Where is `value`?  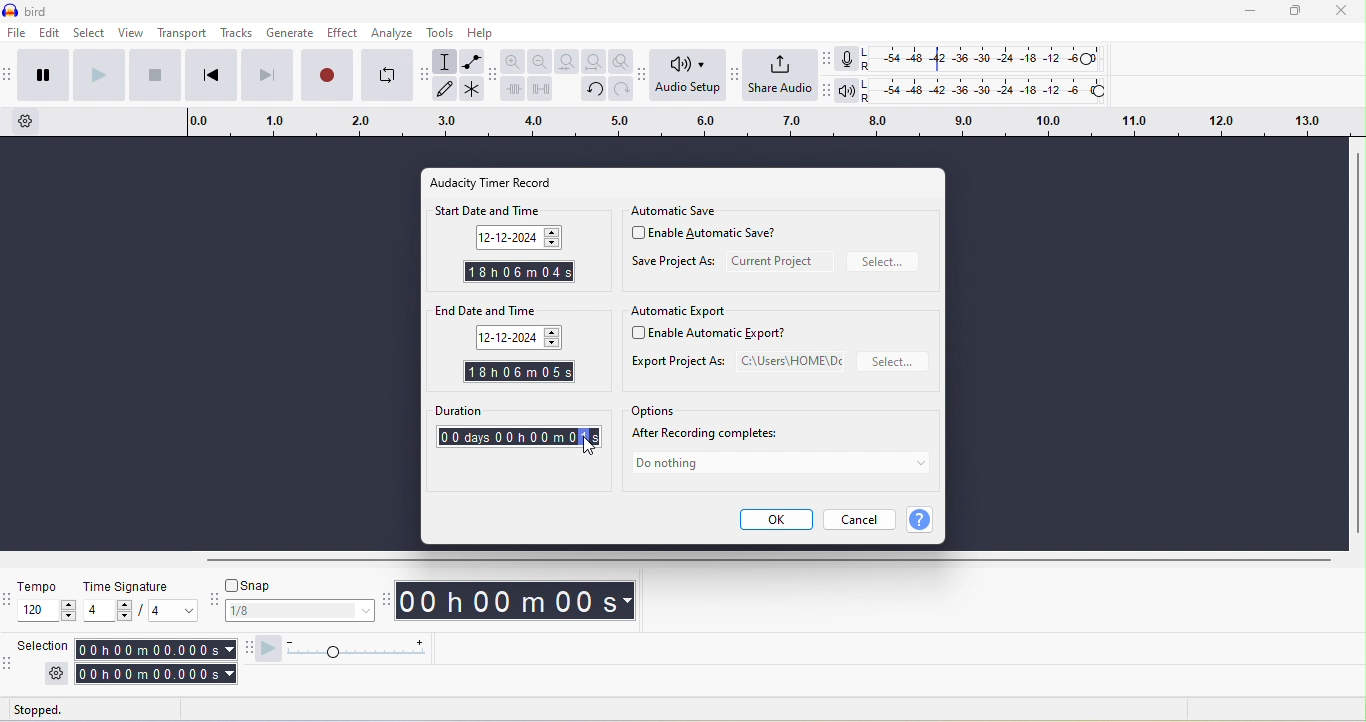
value is located at coordinates (104, 611).